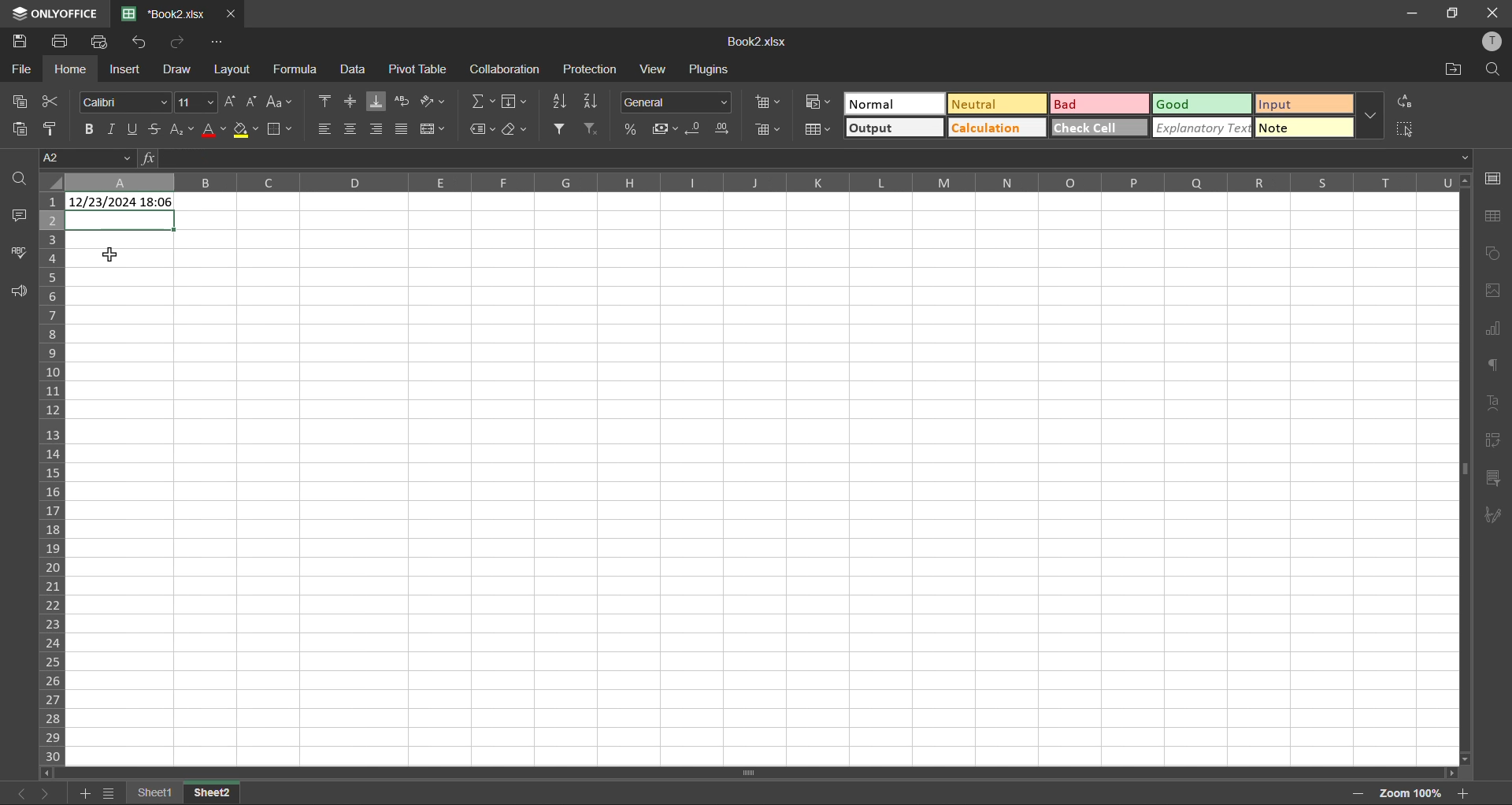 Image resolution: width=1512 pixels, height=805 pixels. I want to click on add sheet, so click(83, 795).